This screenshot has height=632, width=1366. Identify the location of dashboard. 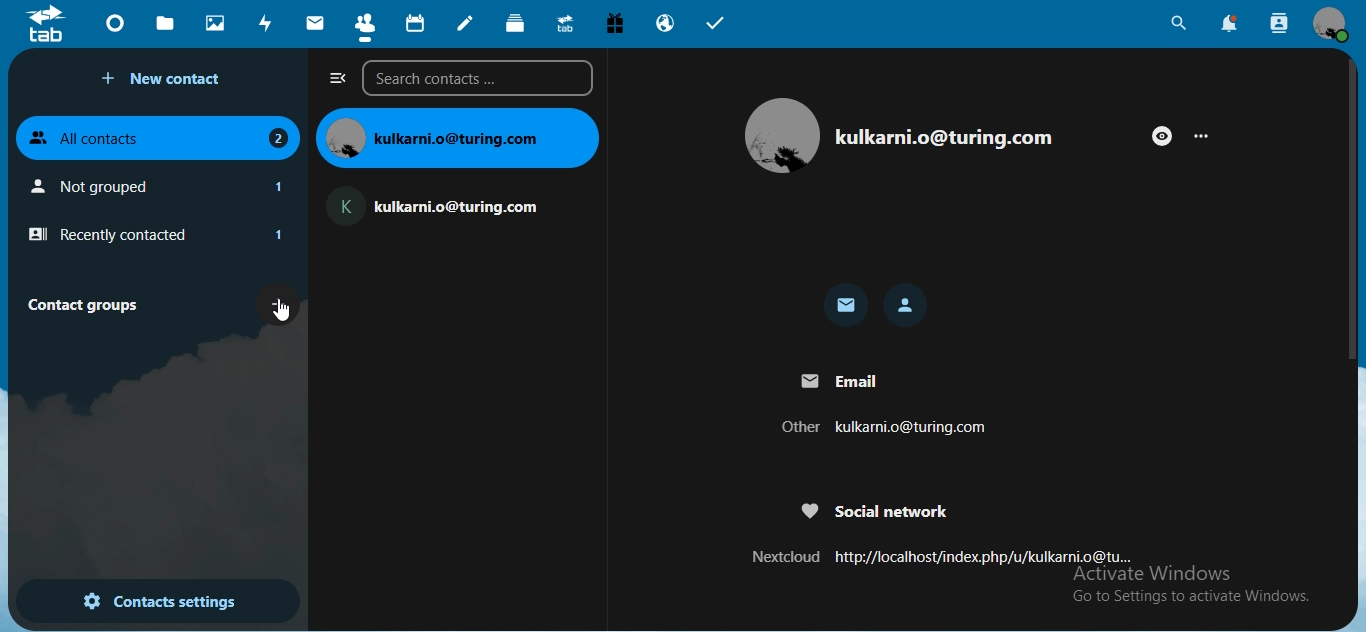
(118, 28).